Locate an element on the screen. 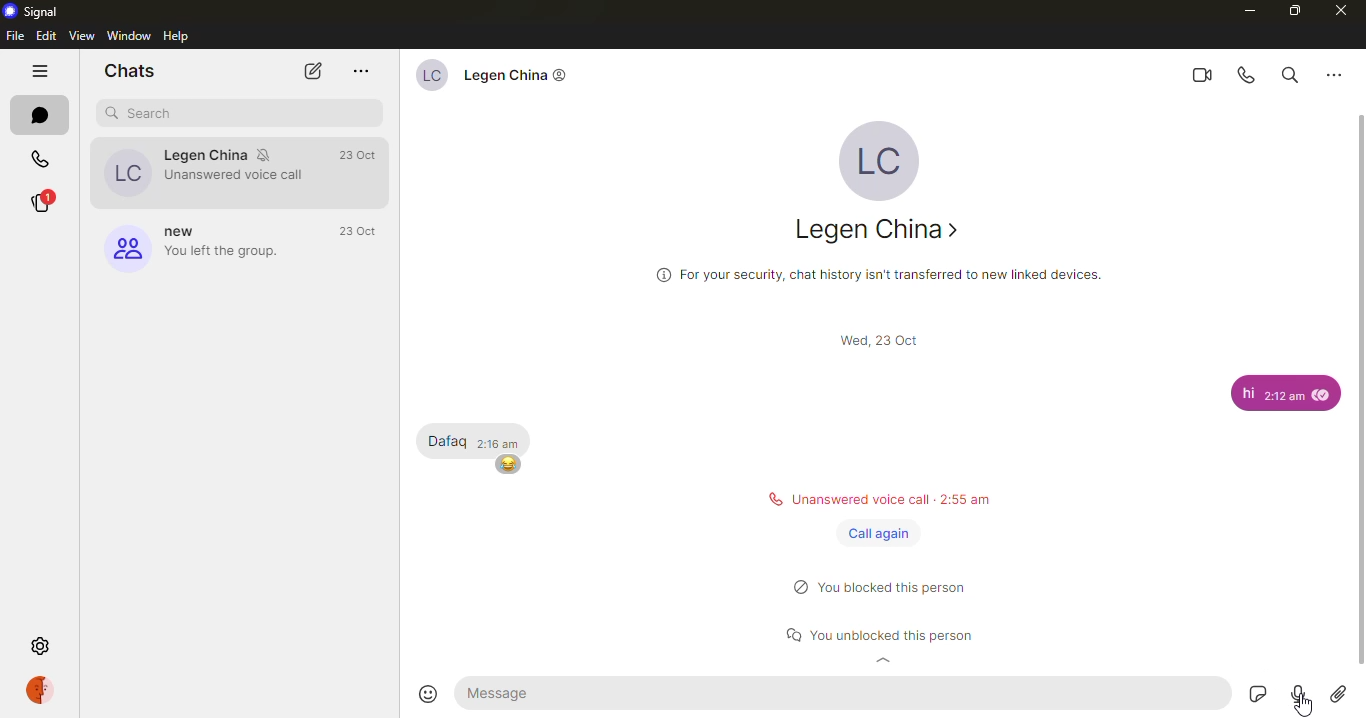  signal is located at coordinates (31, 10).